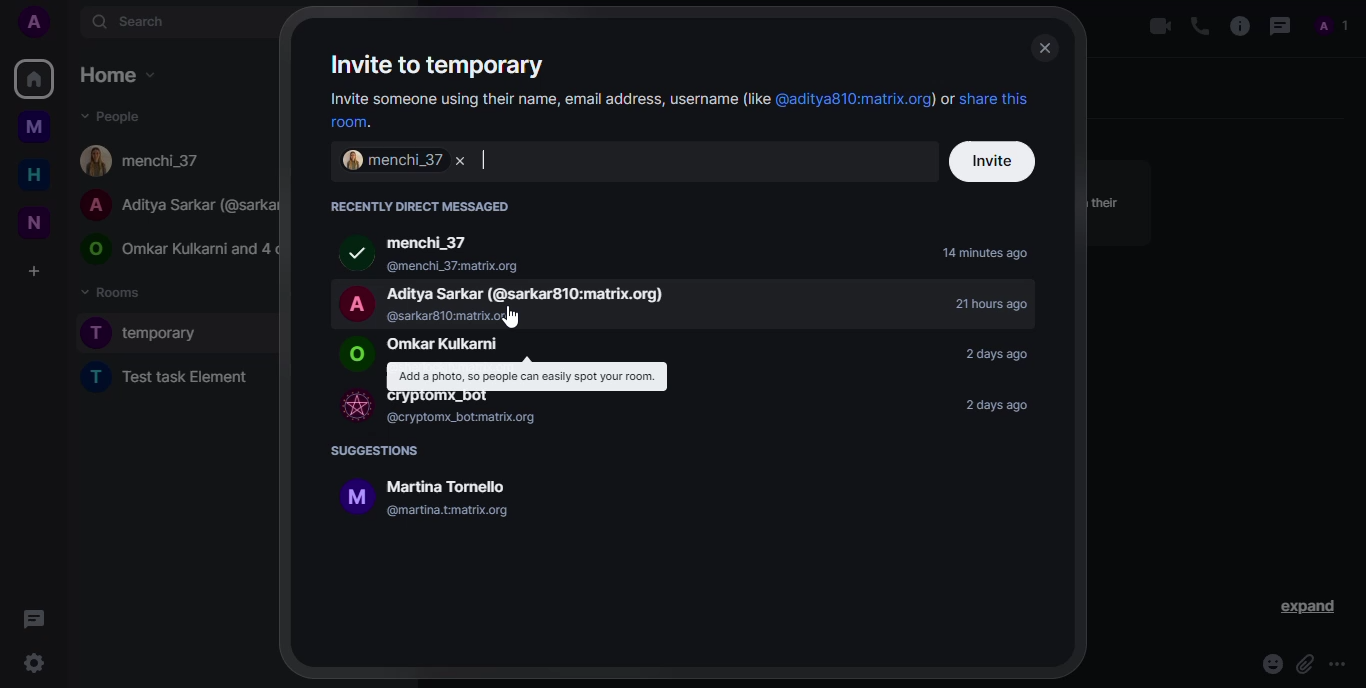  What do you see at coordinates (516, 318) in the screenshot?
I see `cursor` at bounding box center [516, 318].